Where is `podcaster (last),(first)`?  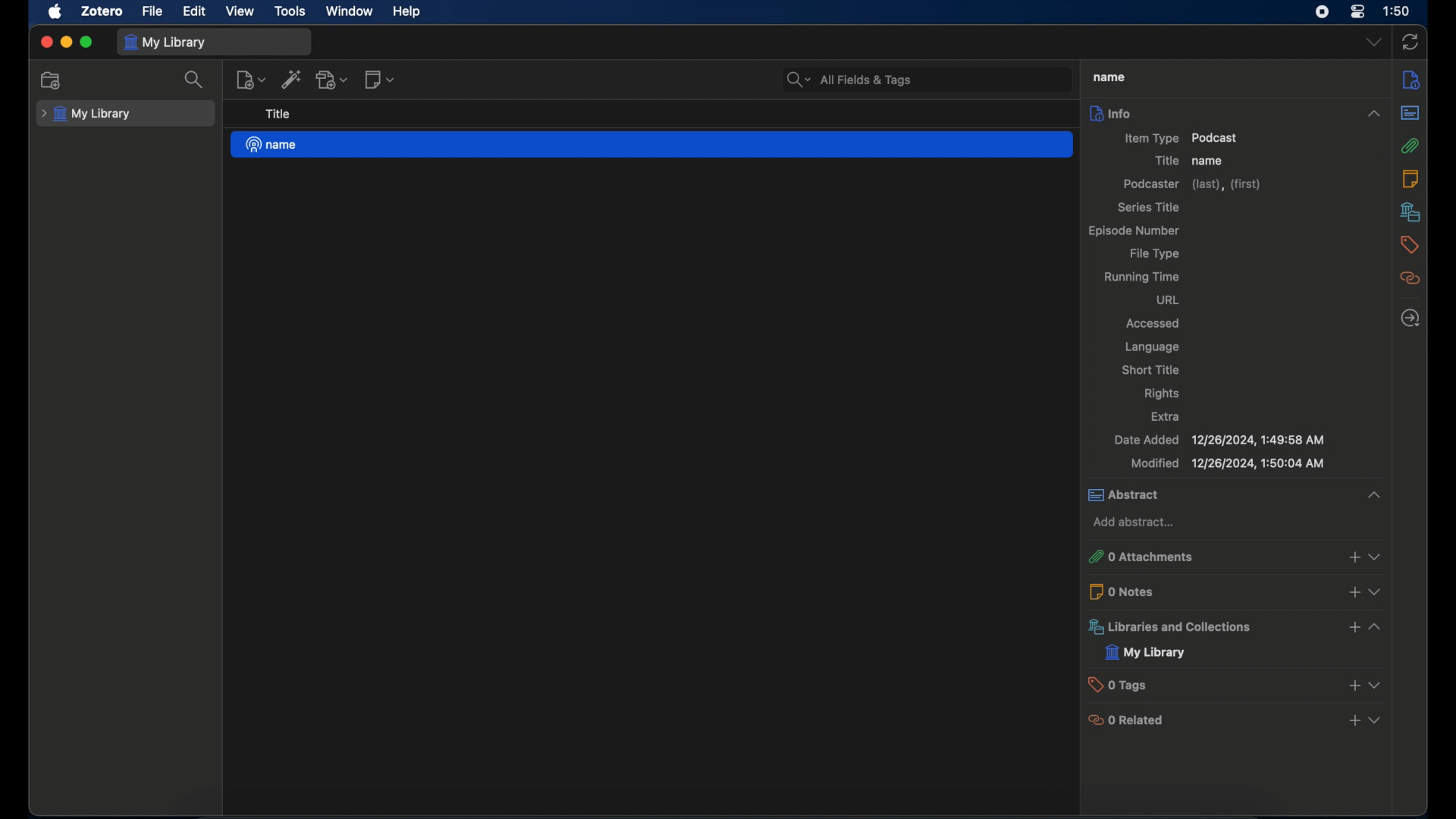
podcaster (last),(first) is located at coordinates (1192, 184).